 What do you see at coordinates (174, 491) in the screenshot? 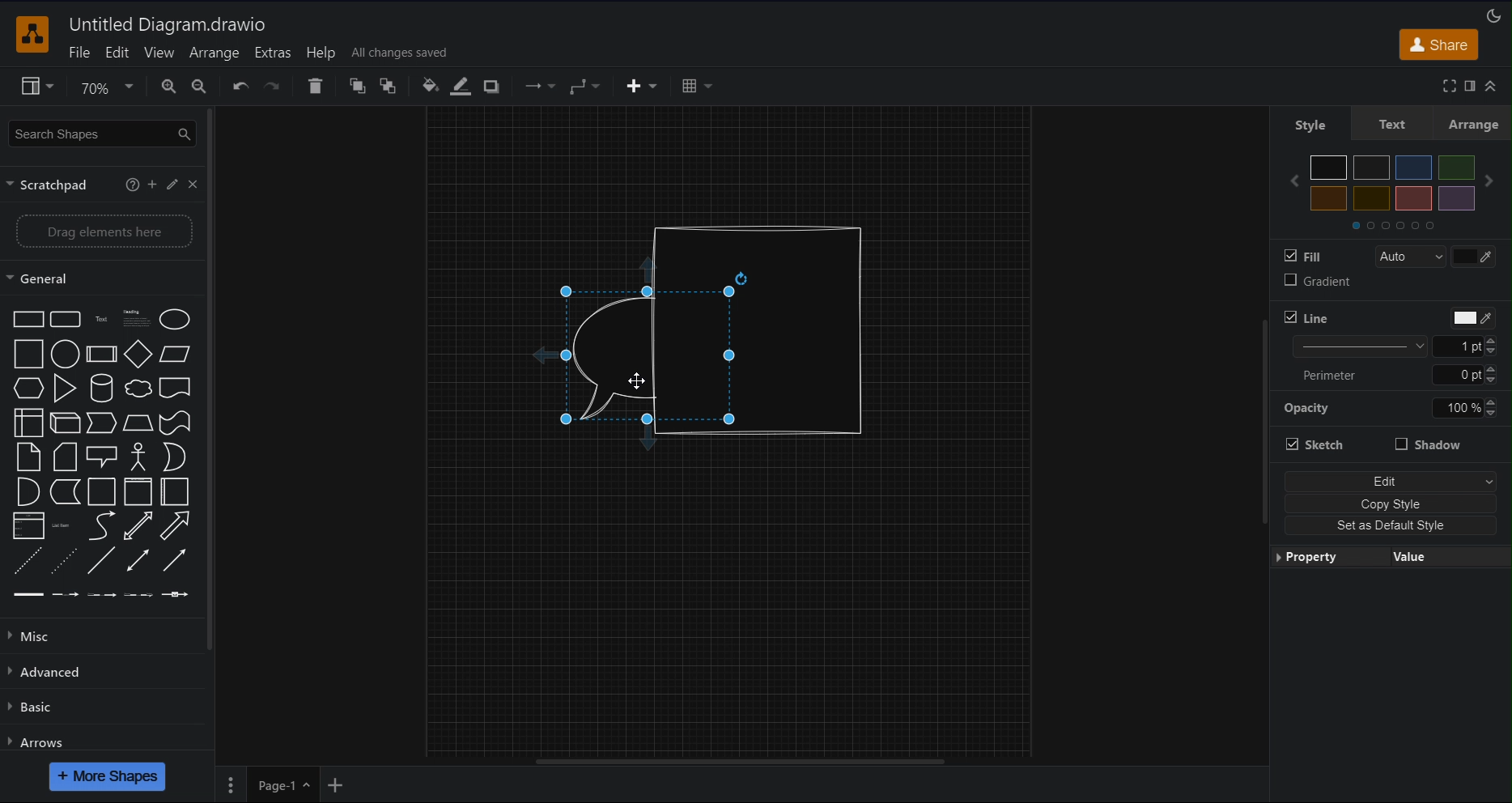
I see `Horizontal container` at bounding box center [174, 491].